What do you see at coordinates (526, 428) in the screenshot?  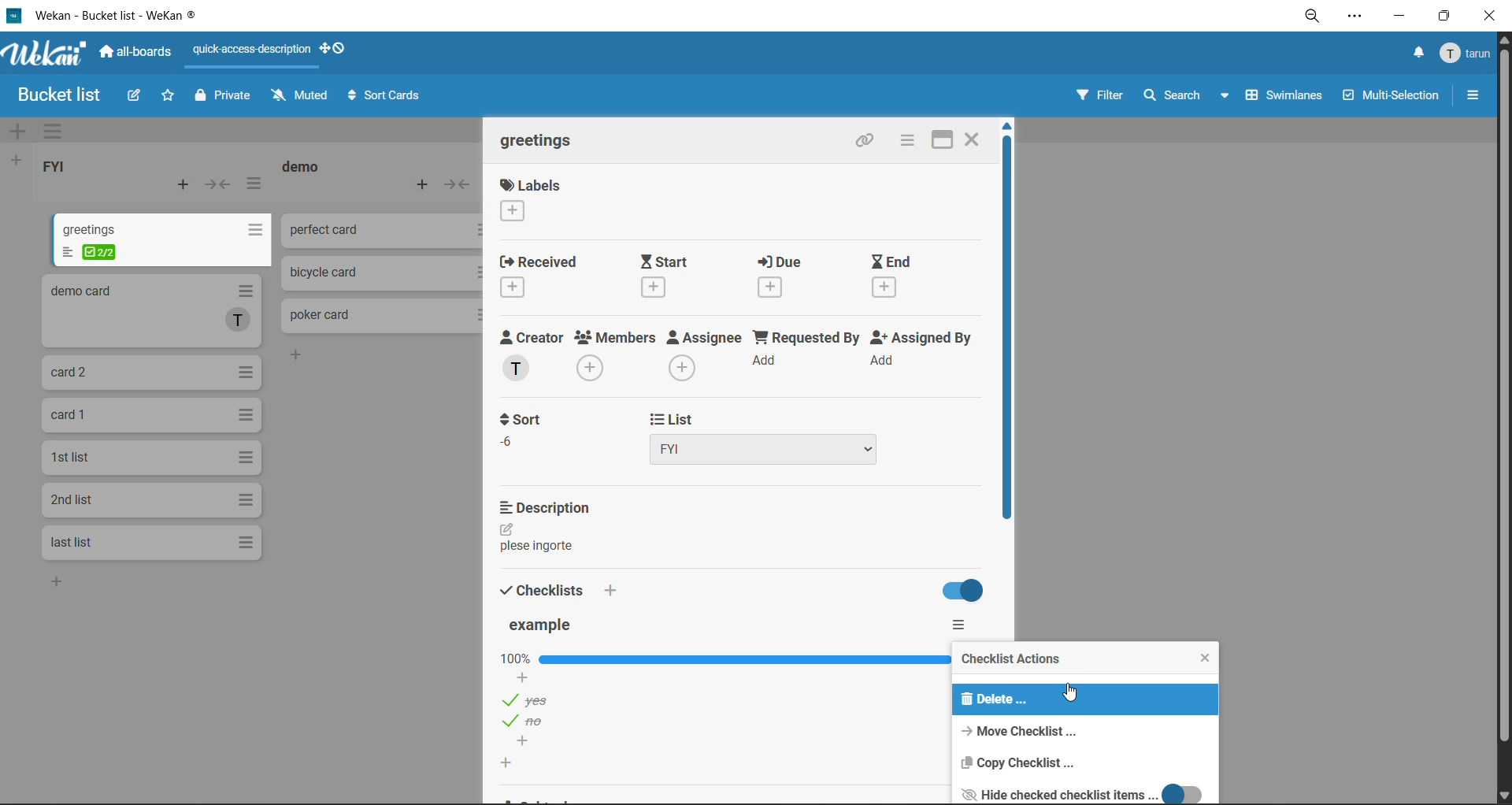 I see `sort` at bounding box center [526, 428].